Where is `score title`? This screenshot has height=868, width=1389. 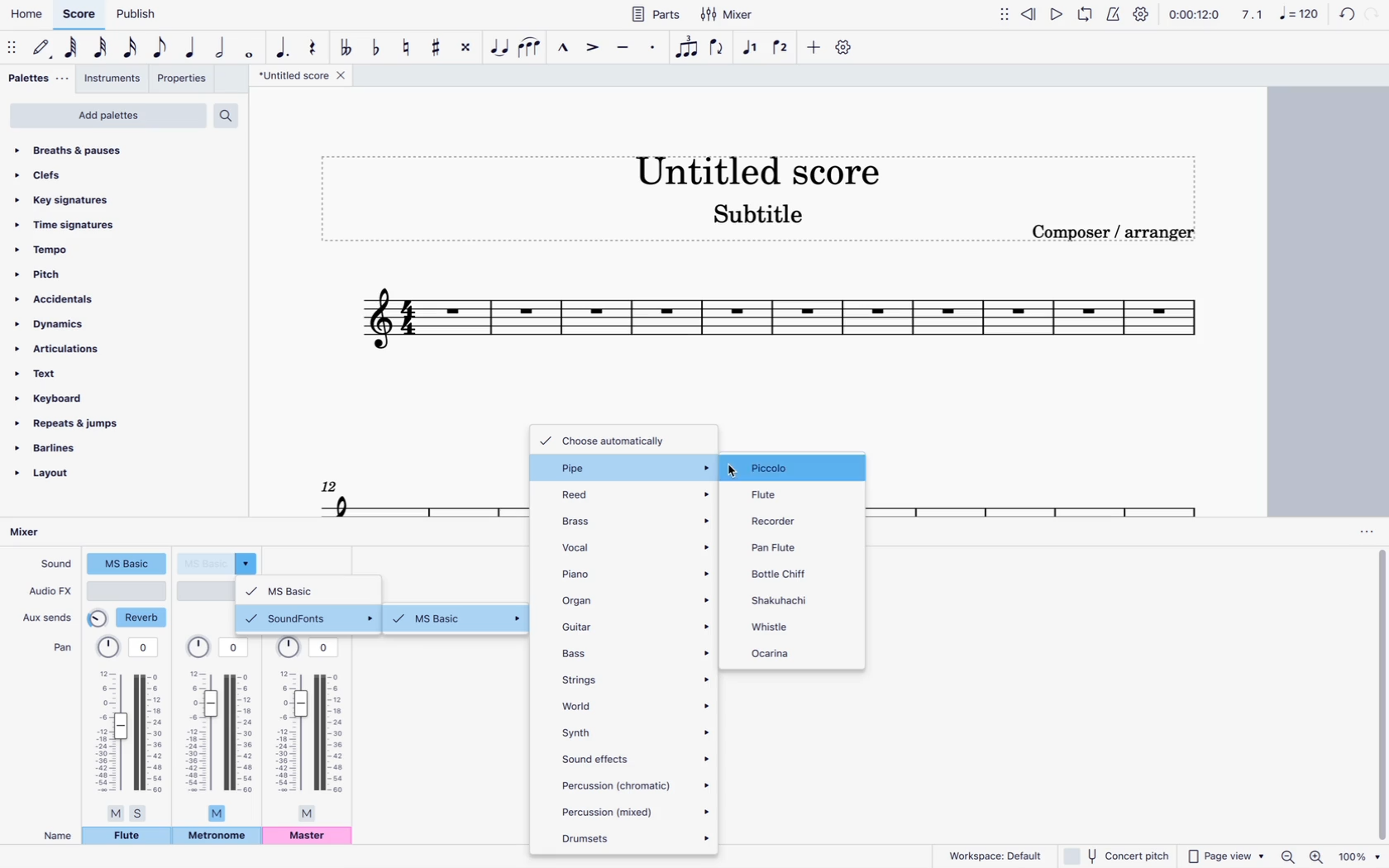
score title is located at coordinates (758, 165).